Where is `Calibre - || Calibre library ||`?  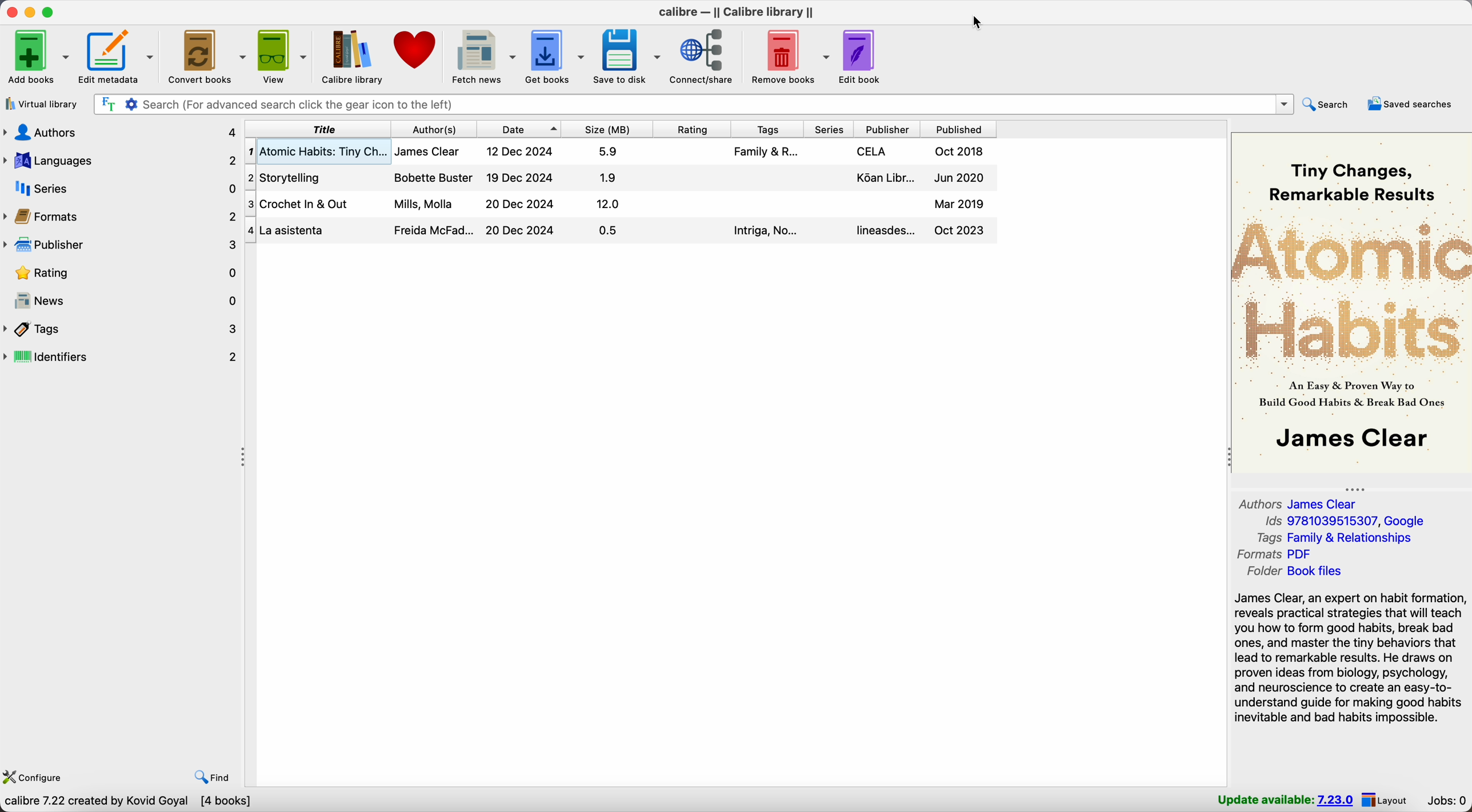
Calibre - || Calibre library || is located at coordinates (738, 10).